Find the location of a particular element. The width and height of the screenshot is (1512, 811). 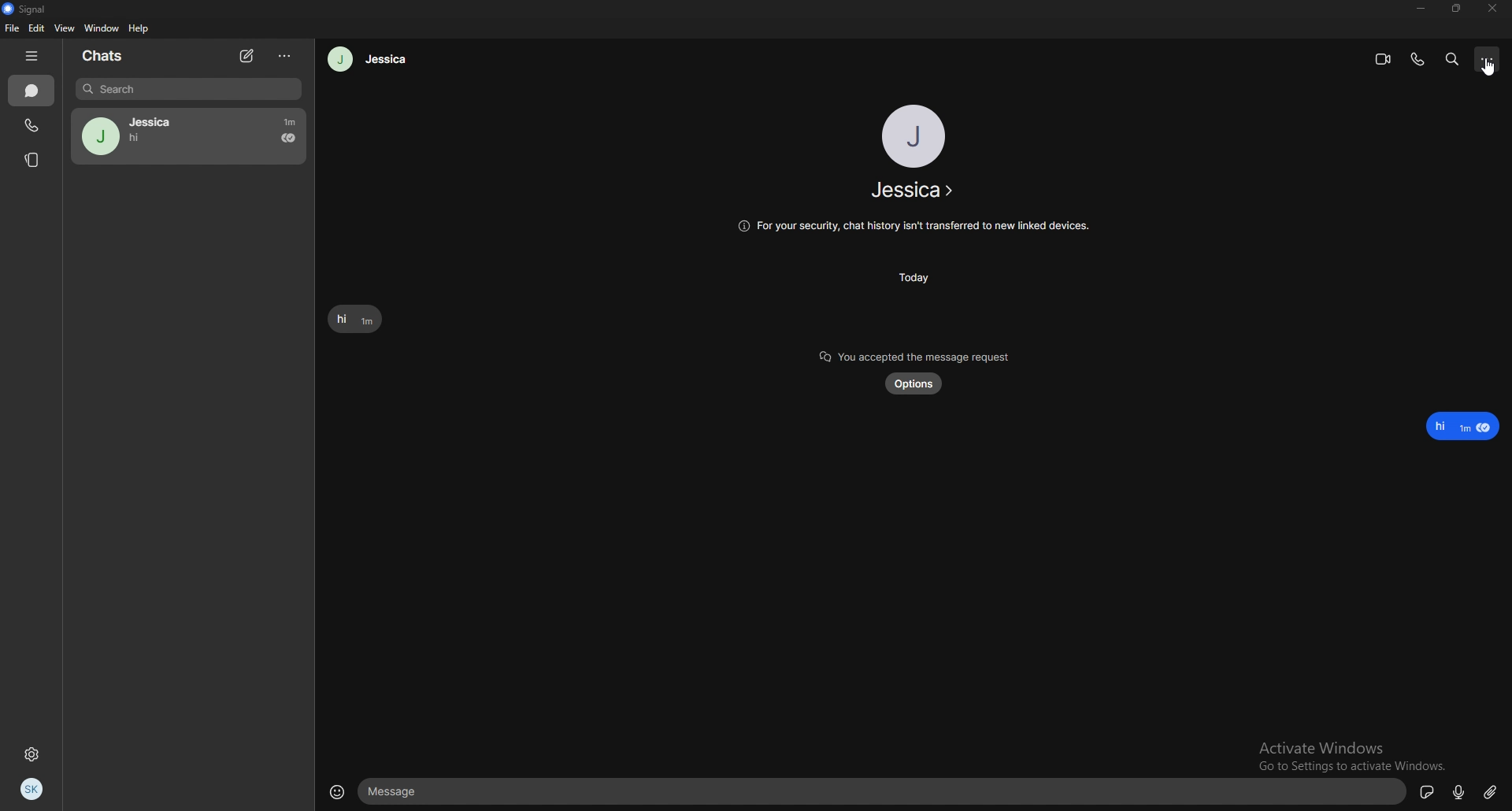

help is located at coordinates (139, 29).